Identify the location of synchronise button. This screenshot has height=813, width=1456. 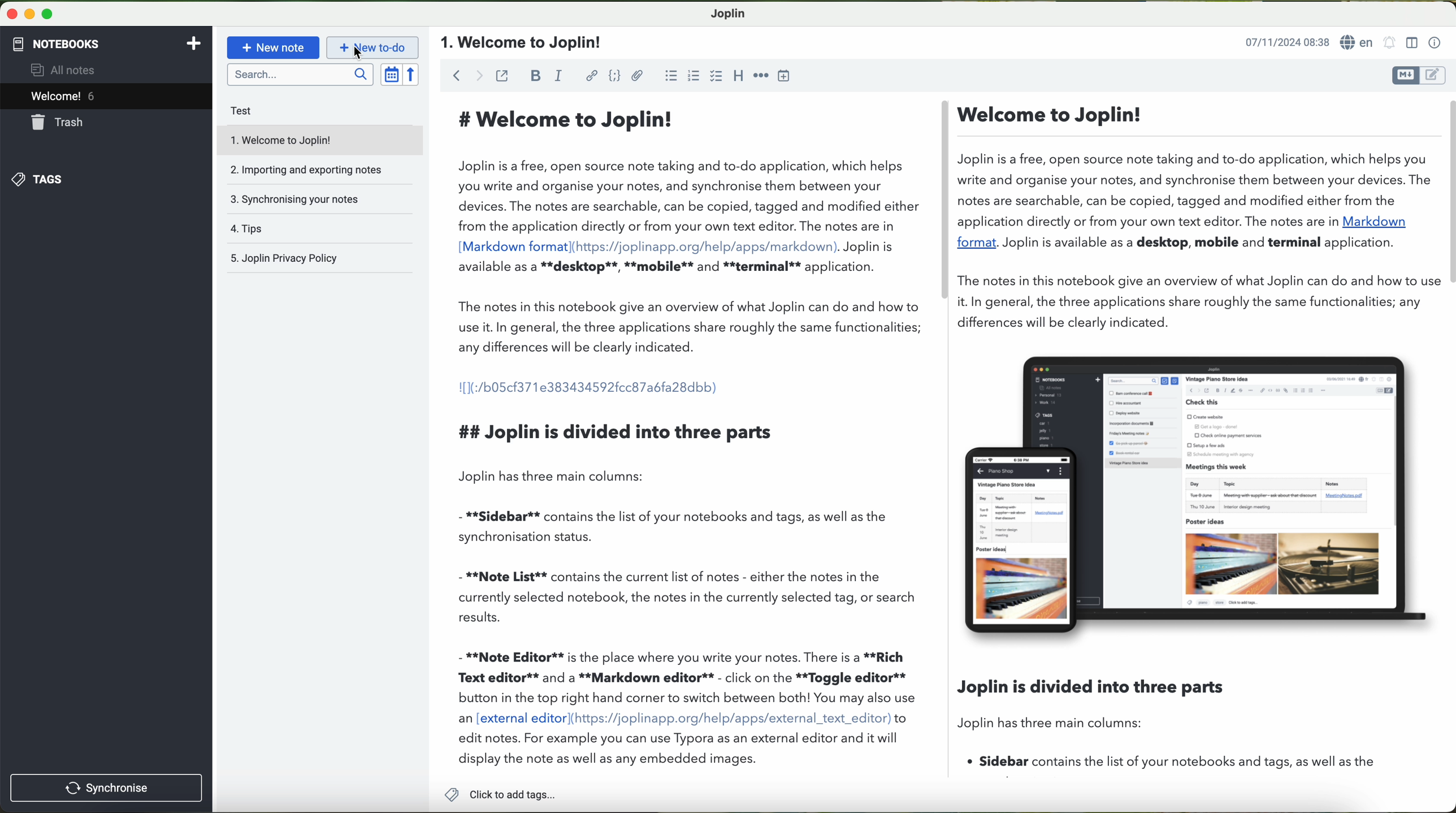
(105, 786).